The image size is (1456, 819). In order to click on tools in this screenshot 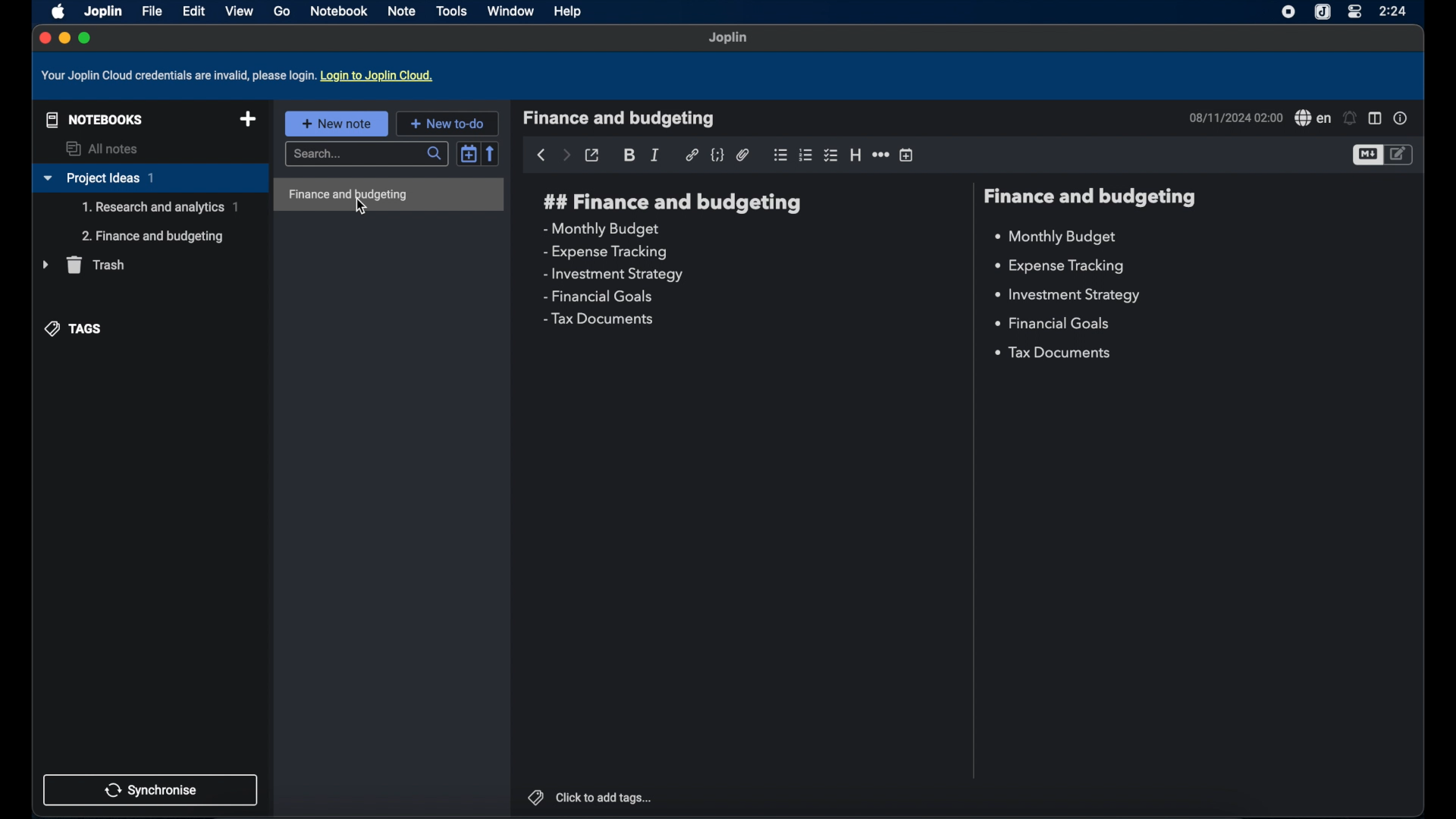, I will do `click(452, 11)`.